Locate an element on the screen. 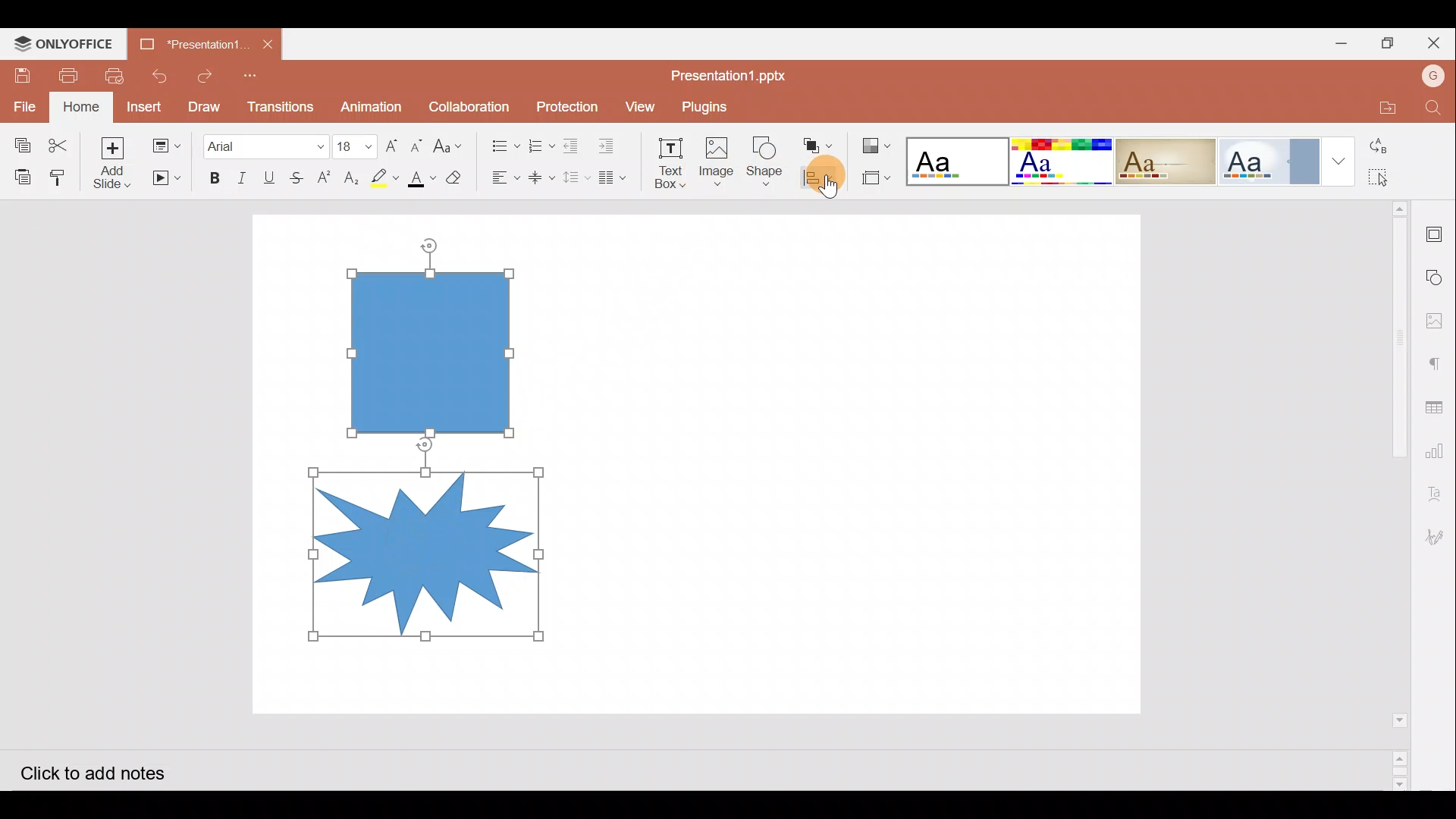  Animation is located at coordinates (372, 102).